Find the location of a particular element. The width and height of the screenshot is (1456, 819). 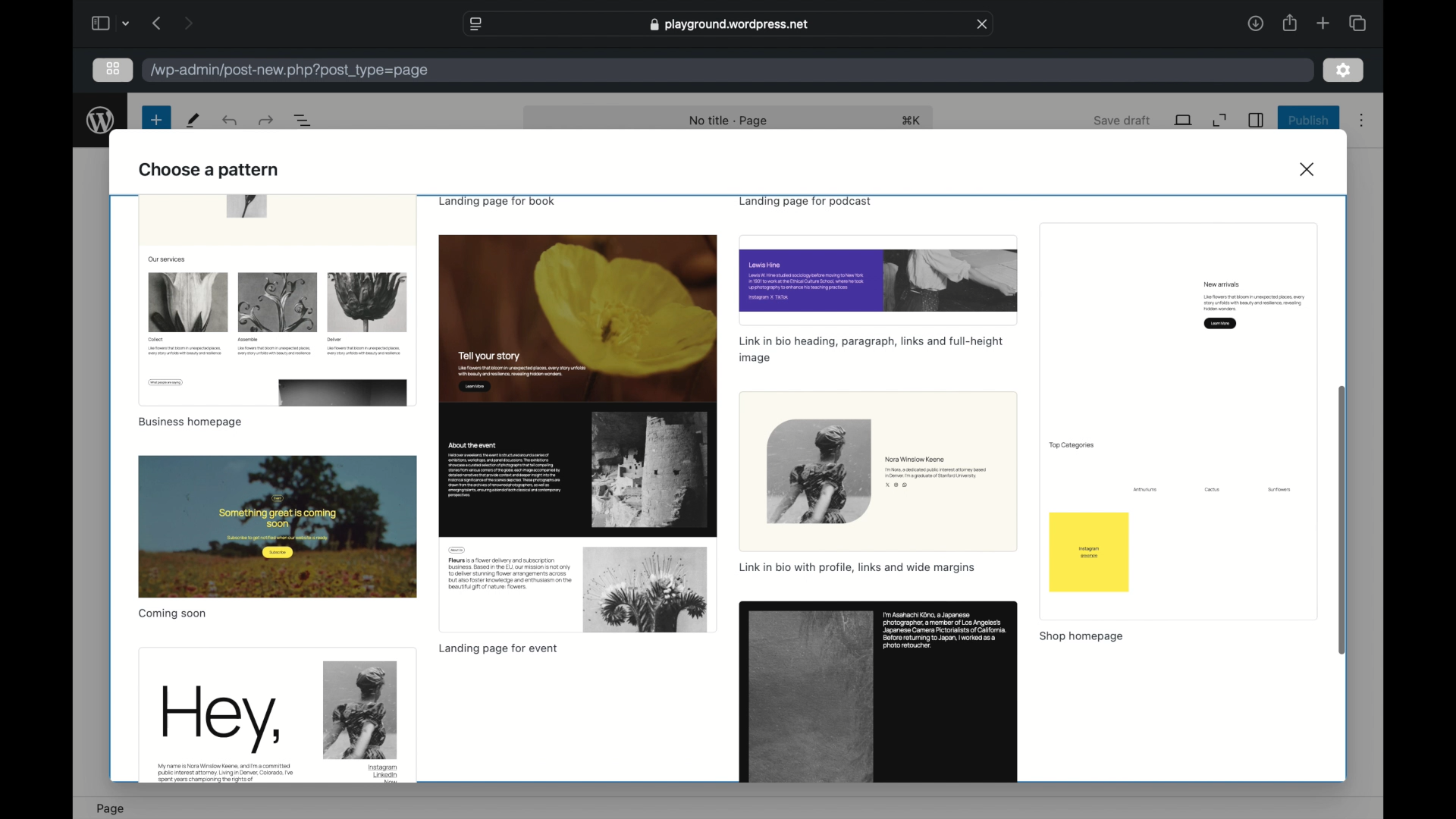

website settings is located at coordinates (475, 24).